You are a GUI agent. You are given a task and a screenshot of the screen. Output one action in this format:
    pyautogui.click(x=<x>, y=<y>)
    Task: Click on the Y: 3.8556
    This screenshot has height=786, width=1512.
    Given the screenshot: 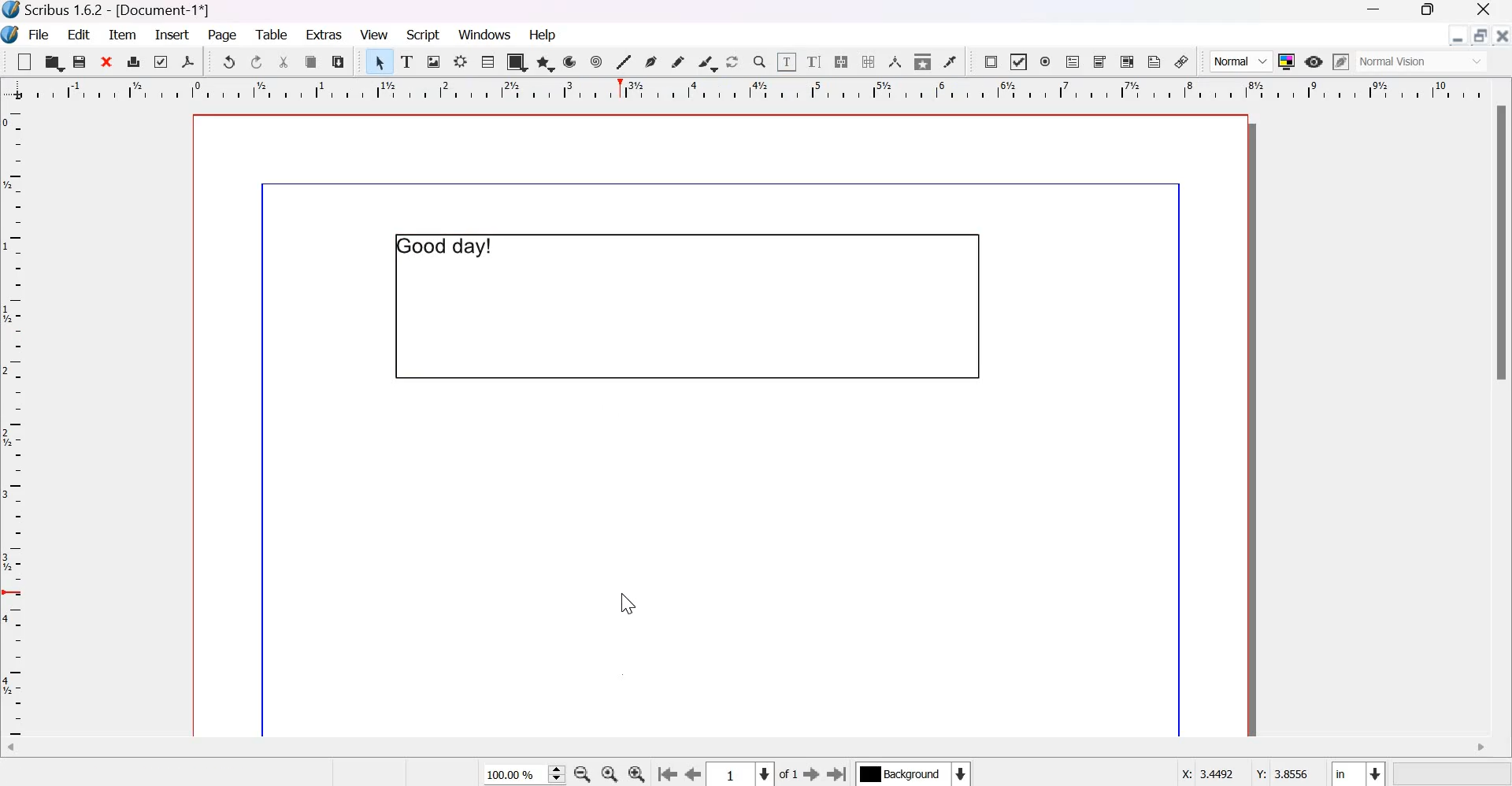 What is the action you would take?
    pyautogui.click(x=1280, y=771)
    